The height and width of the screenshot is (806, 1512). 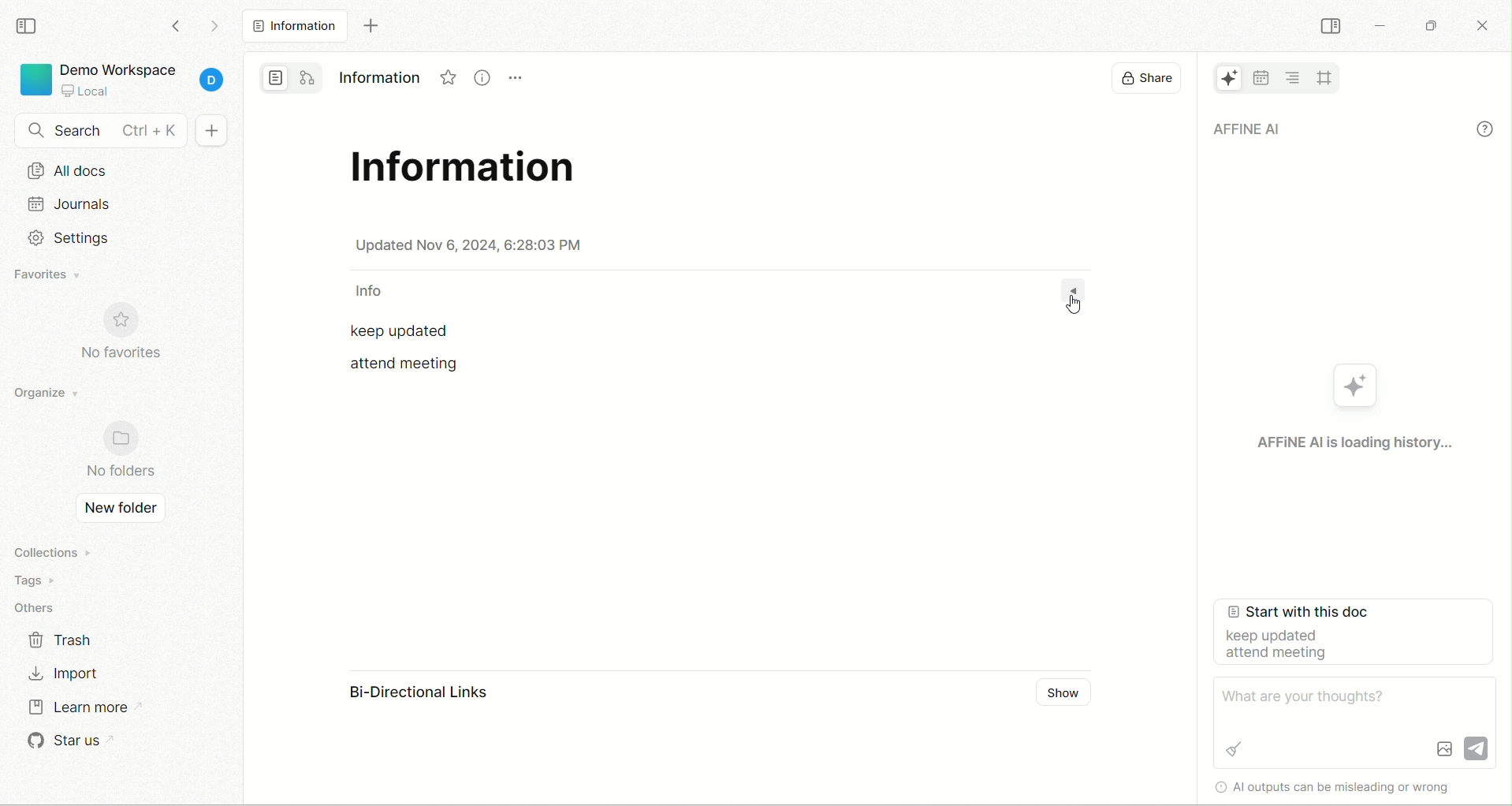 I want to click on cursor, so click(x=1074, y=305).